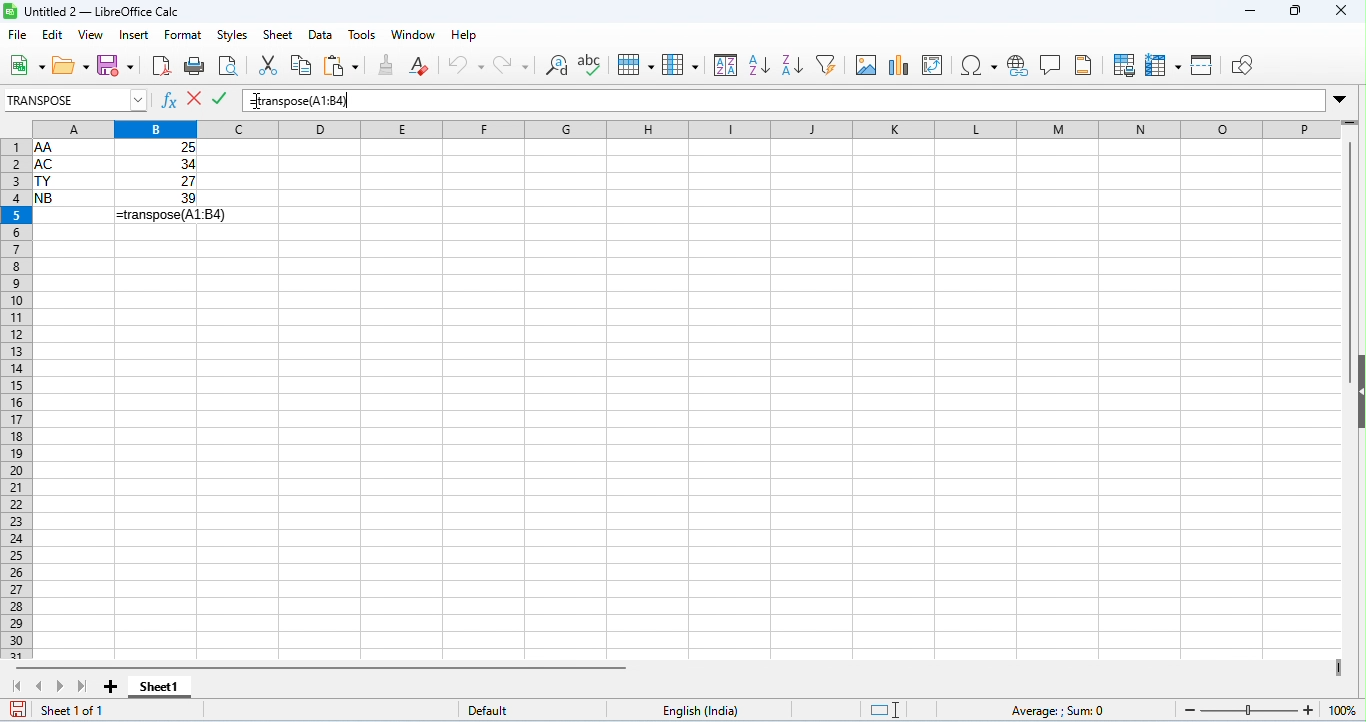 This screenshot has width=1366, height=722. What do you see at coordinates (867, 64) in the screenshot?
I see `insert image` at bounding box center [867, 64].